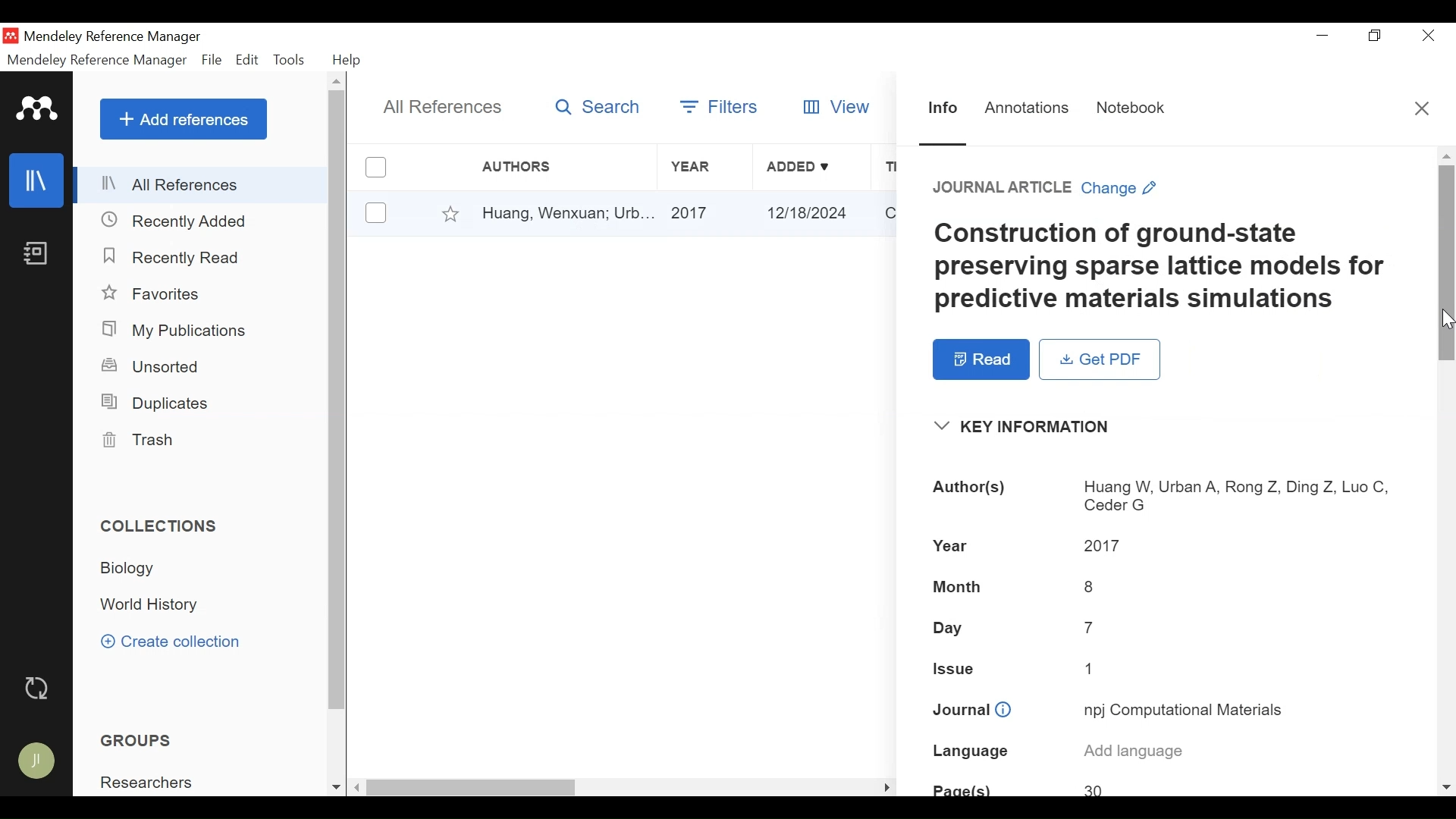 The height and width of the screenshot is (819, 1456). What do you see at coordinates (184, 119) in the screenshot?
I see `Add References` at bounding box center [184, 119].